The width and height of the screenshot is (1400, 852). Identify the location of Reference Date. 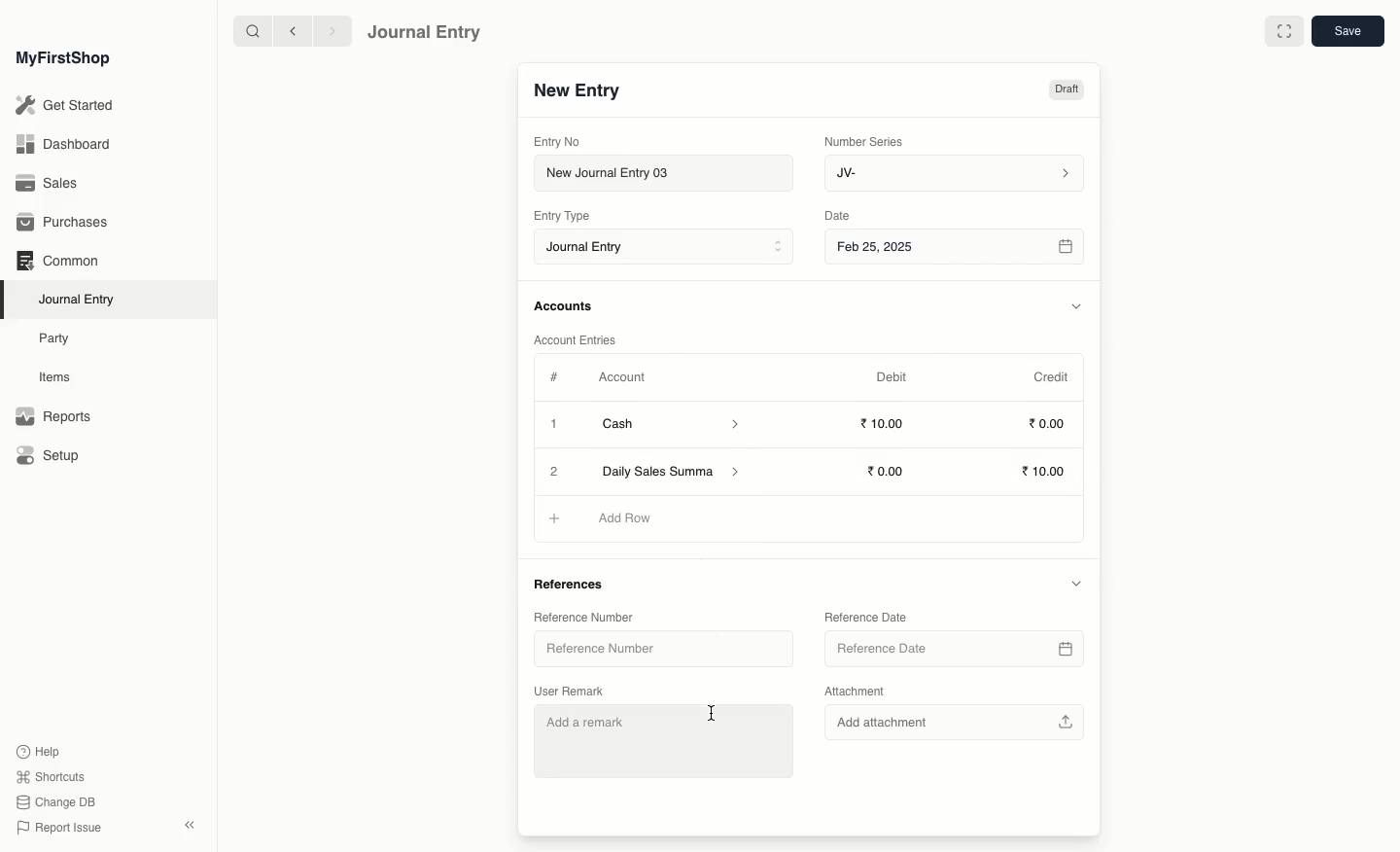
(864, 616).